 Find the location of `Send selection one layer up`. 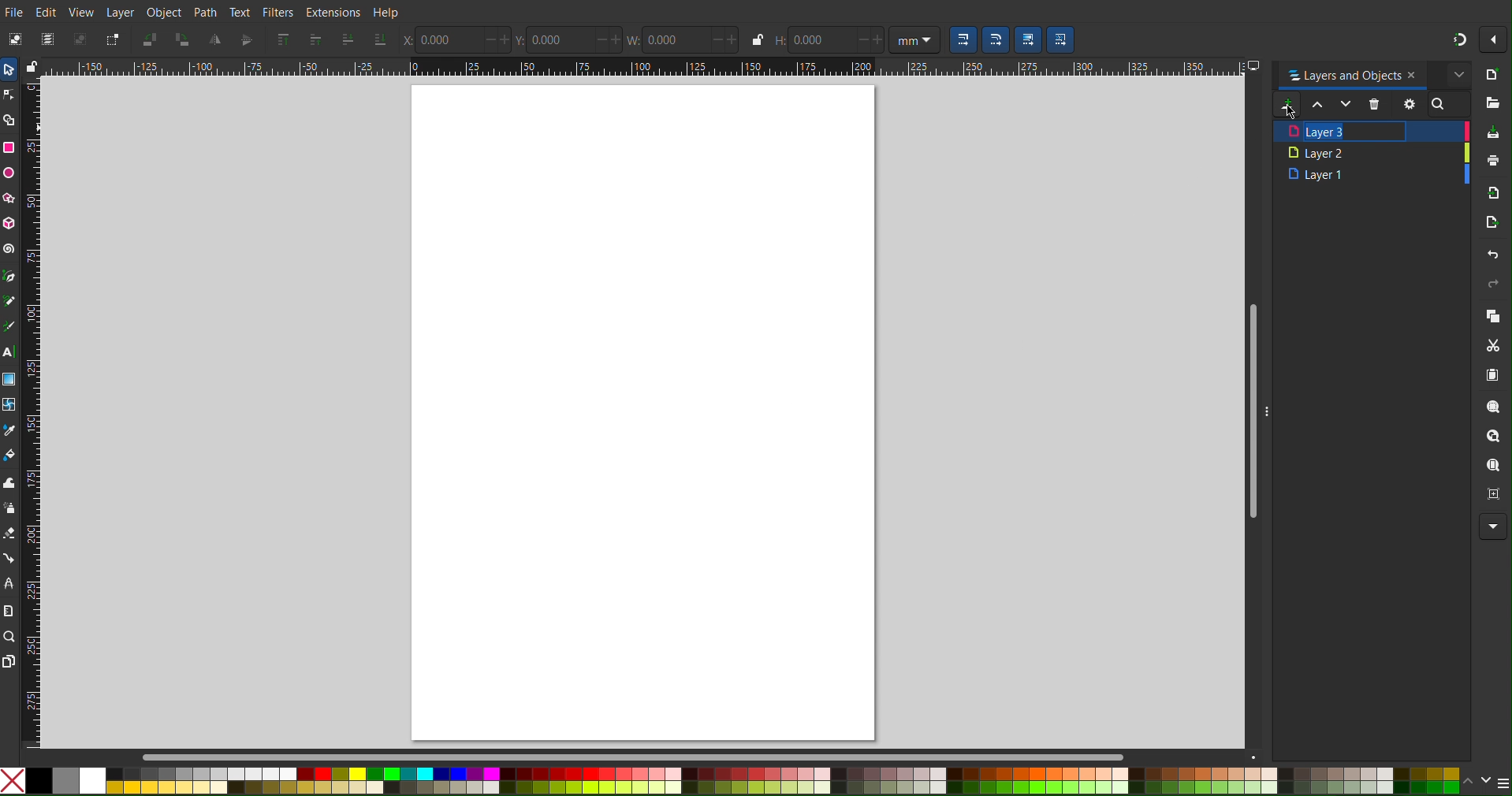

Send selection one layer up is located at coordinates (316, 39).